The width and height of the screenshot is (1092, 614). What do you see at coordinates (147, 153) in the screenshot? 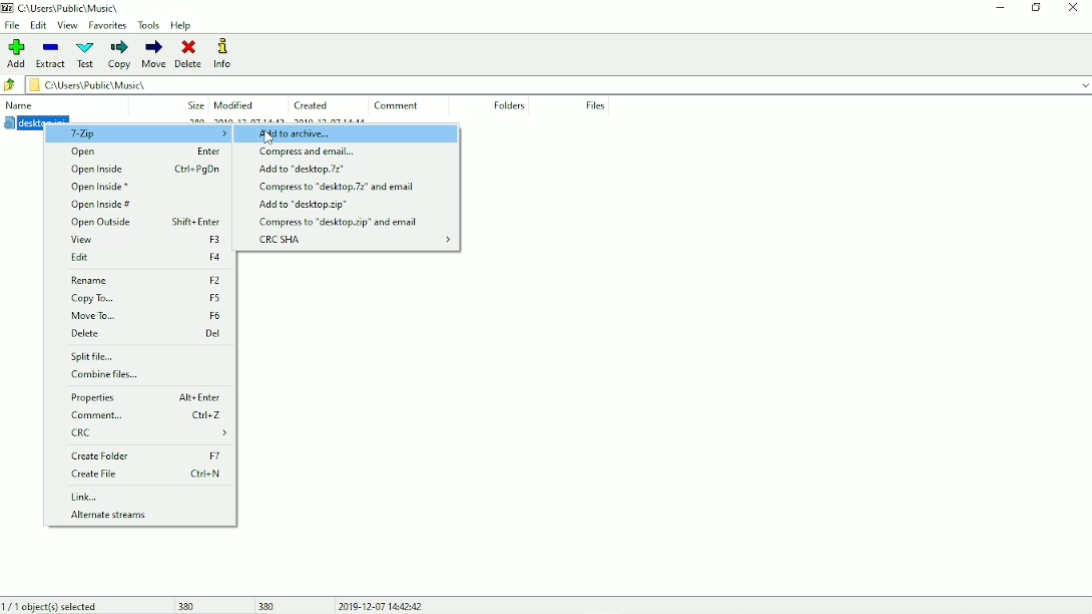
I see `Open` at bounding box center [147, 153].